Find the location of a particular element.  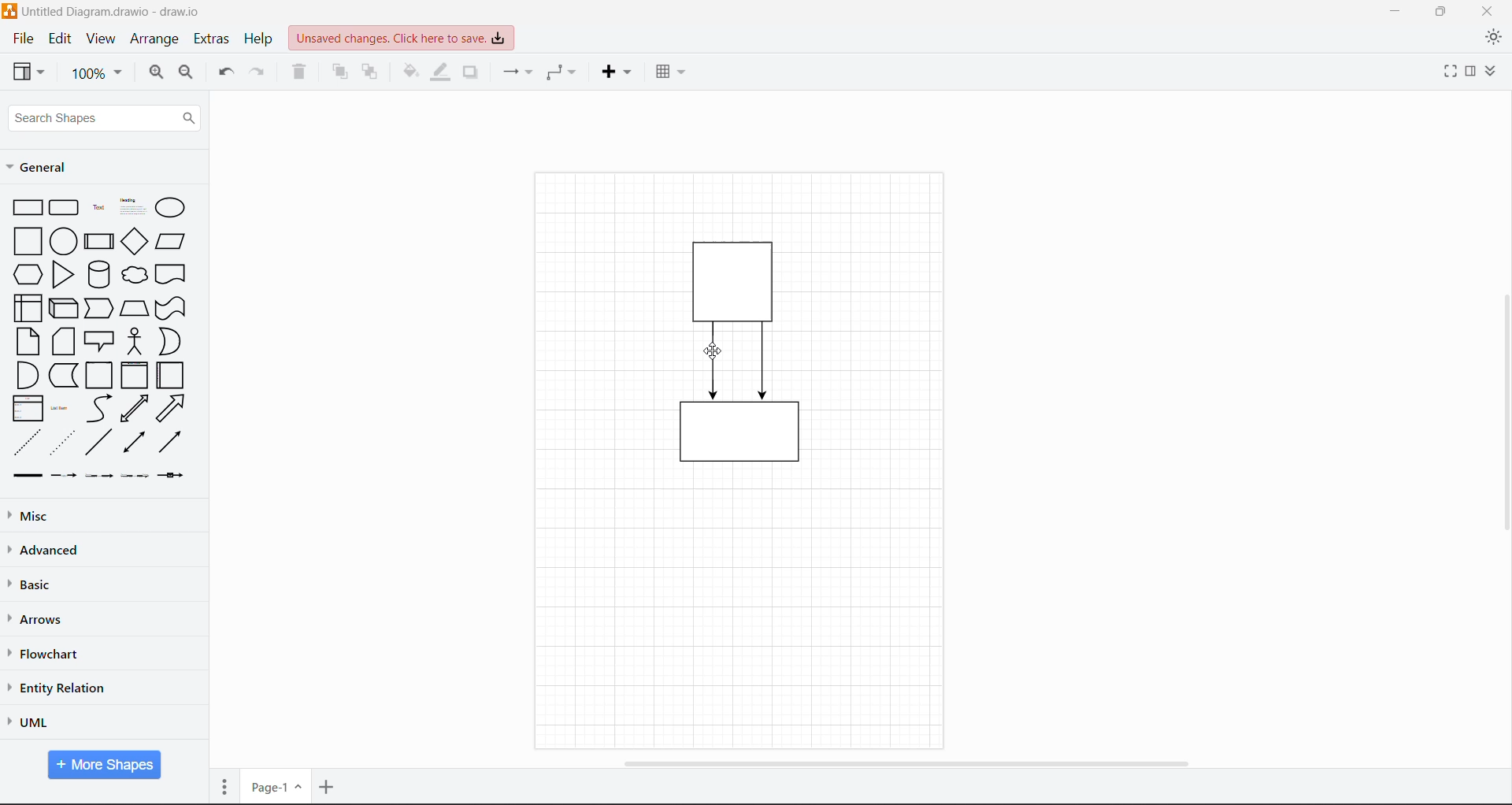

Extras is located at coordinates (213, 39).